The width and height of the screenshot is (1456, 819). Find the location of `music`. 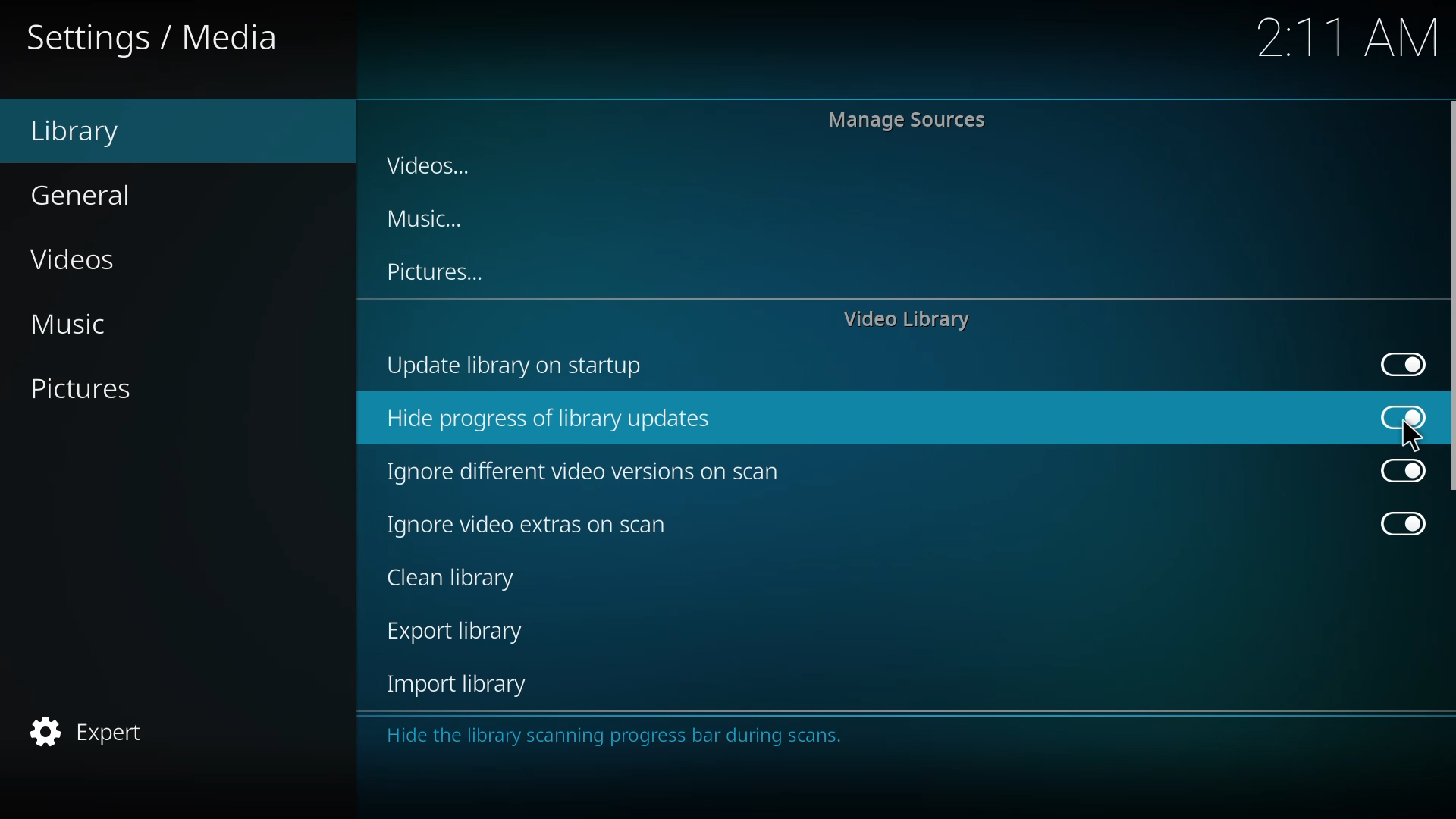

music is located at coordinates (425, 221).